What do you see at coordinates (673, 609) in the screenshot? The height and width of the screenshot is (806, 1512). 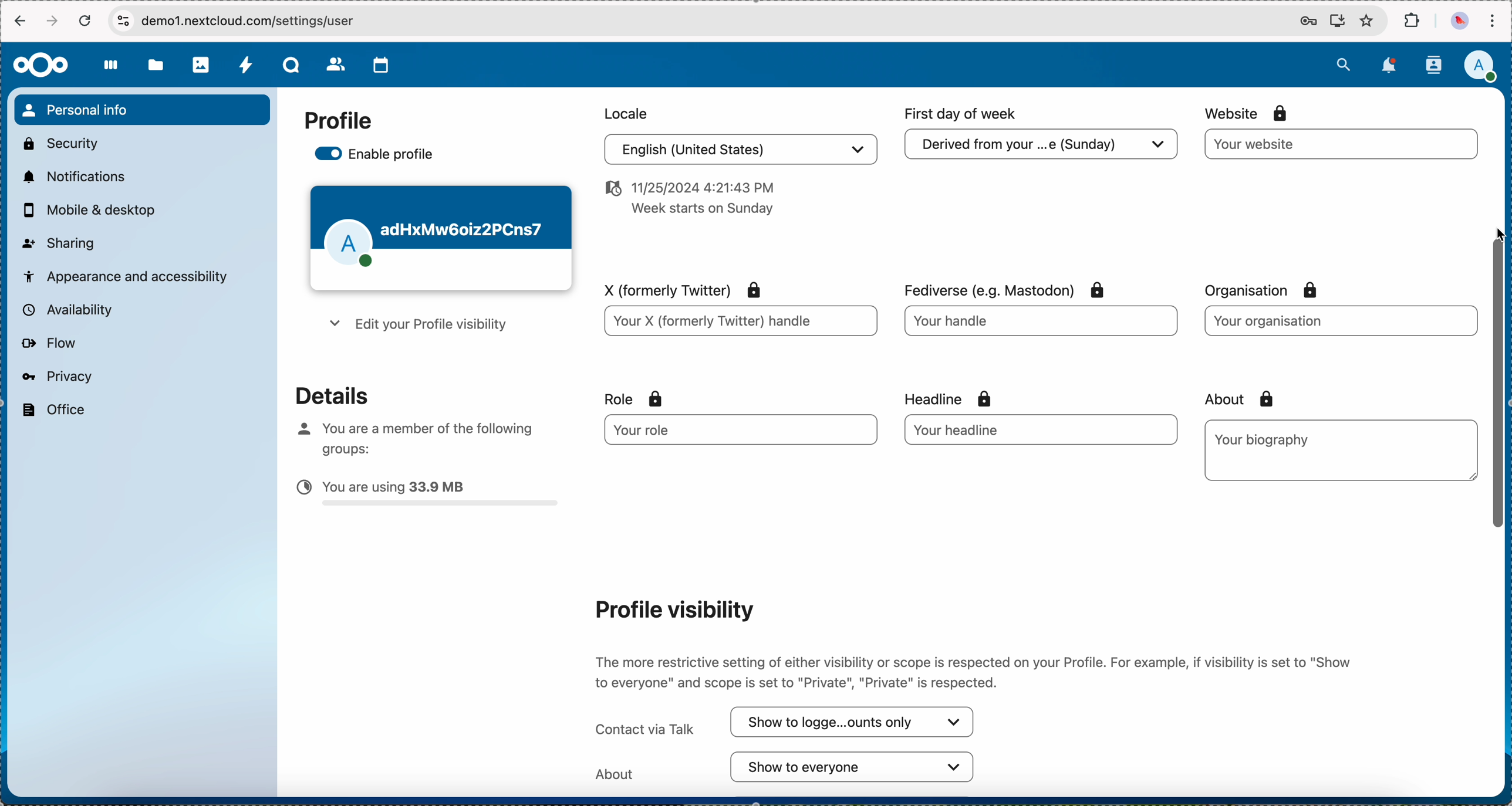 I see `profile visibility` at bounding box center [673, 609].